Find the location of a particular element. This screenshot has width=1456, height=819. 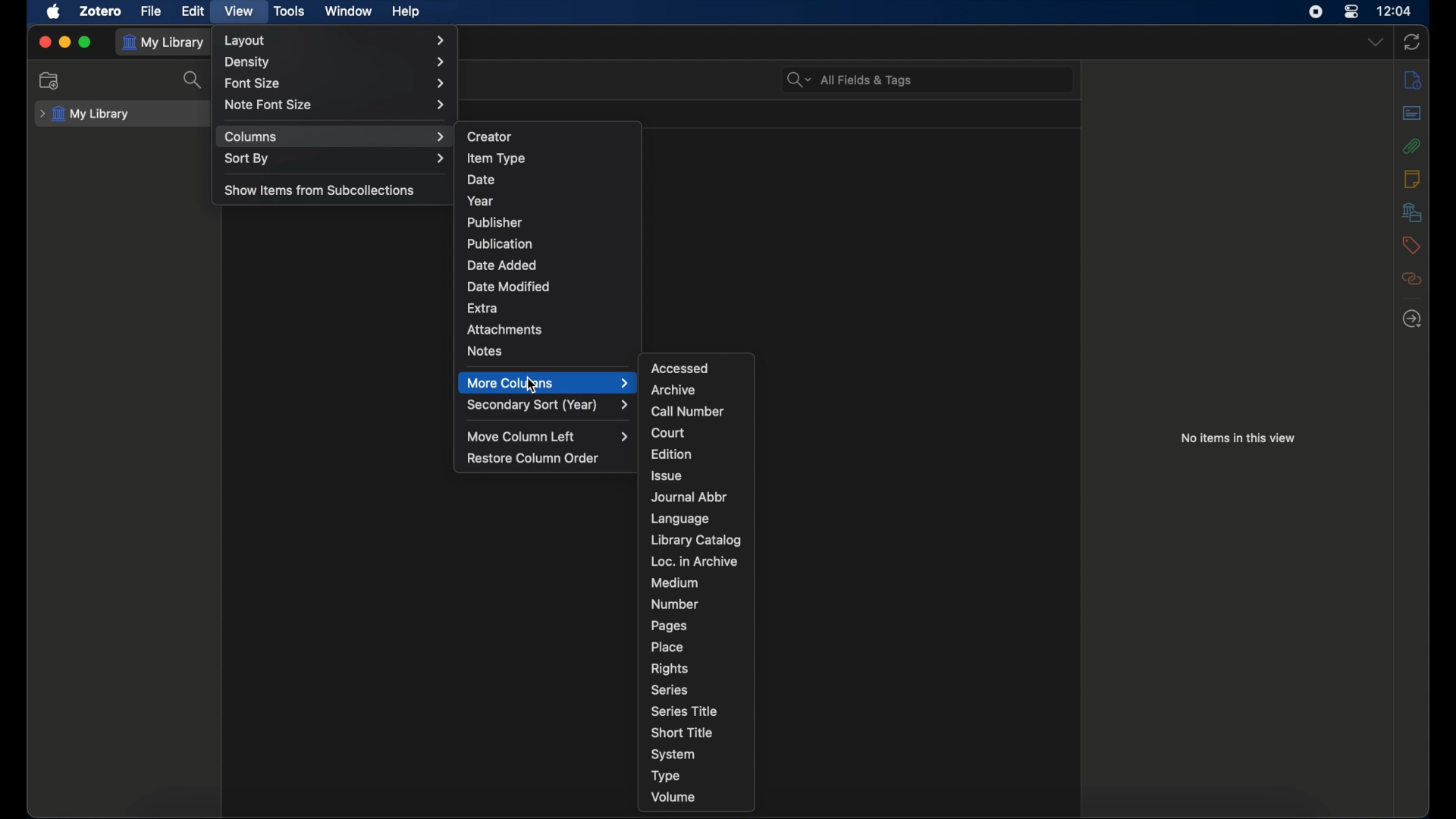

series title is located at coordinates (686, 711).